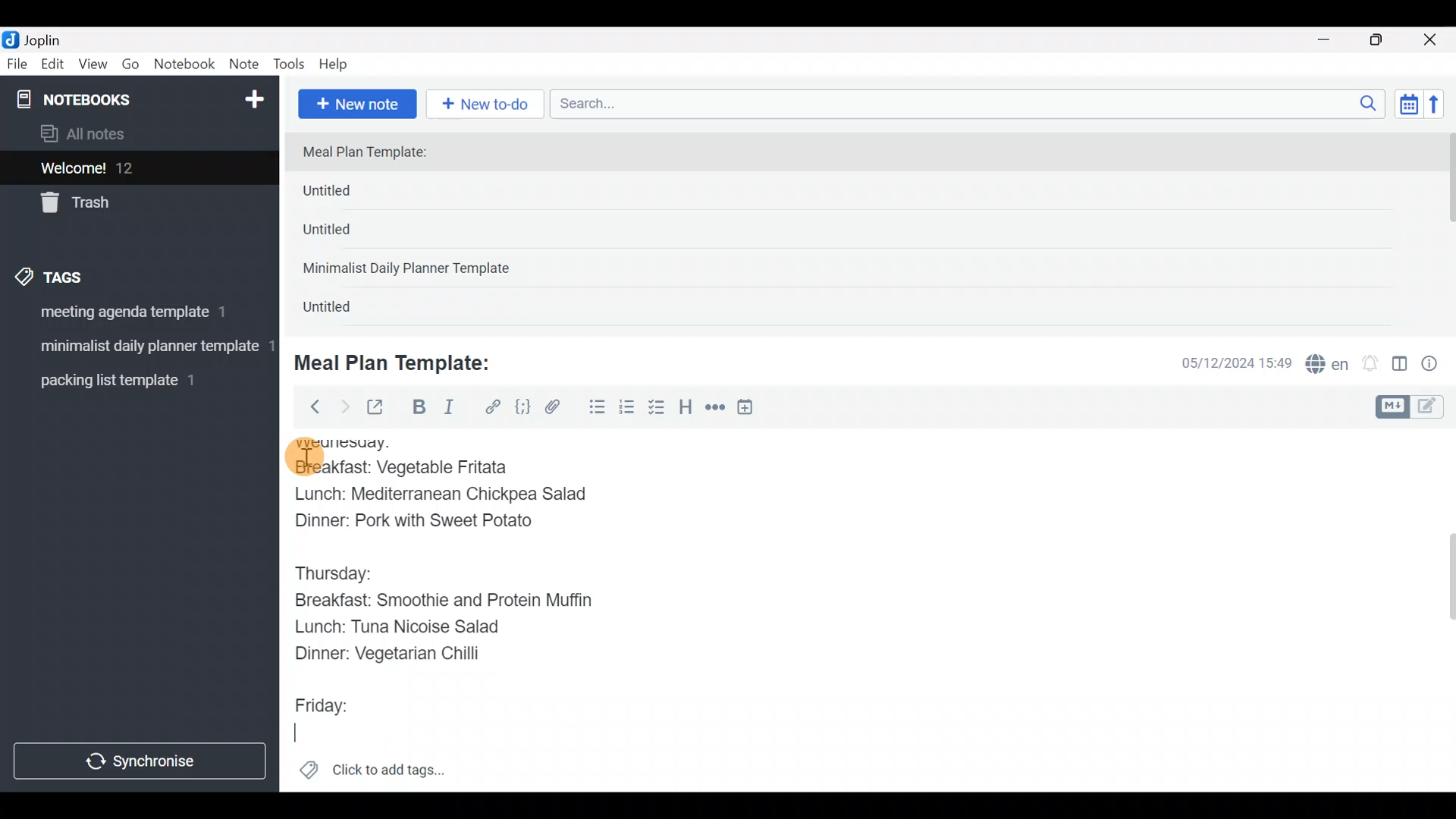 This screenshot has width=1456, height=819. What do you see at coordinates (52, 38) in the screenshot?
I see `Joplin` at bounding box center [52, 38].